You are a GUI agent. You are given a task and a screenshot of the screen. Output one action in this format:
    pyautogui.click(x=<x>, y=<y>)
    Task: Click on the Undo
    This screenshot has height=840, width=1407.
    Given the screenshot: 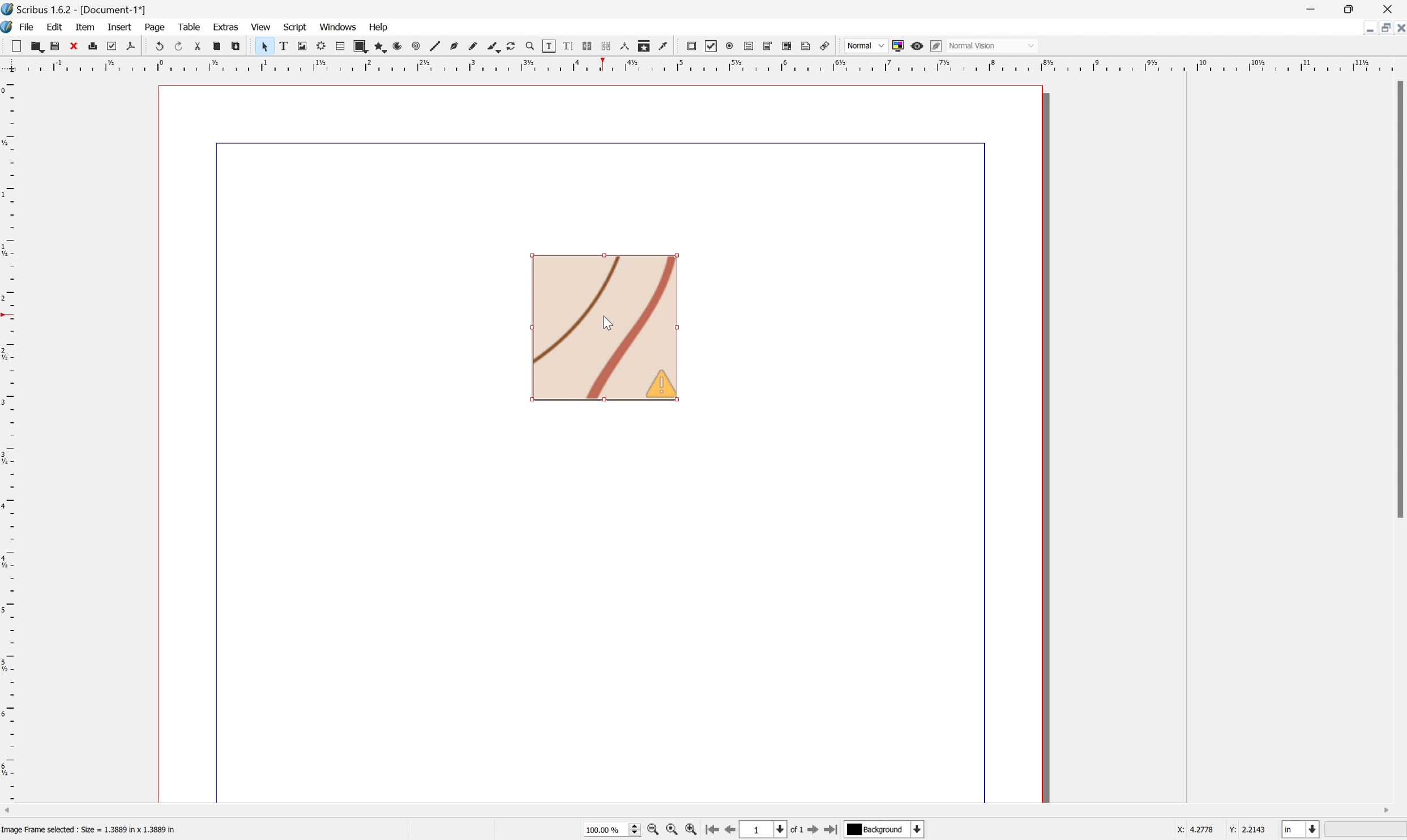 What is the action you would take?
    pyautogui.click(x=158, y=46)
    